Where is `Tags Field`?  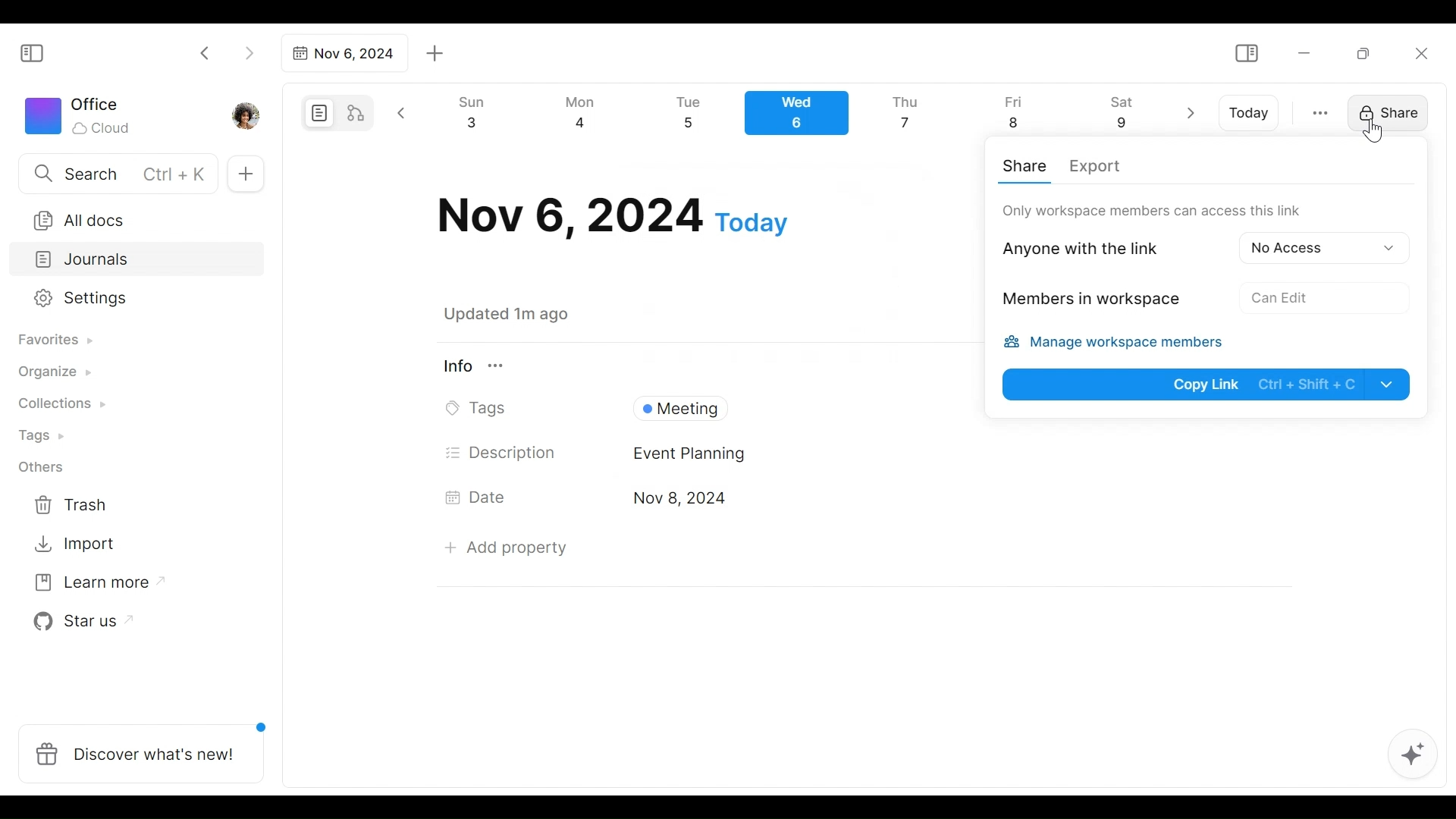
Tags Field is located at coordinates (795, 405).